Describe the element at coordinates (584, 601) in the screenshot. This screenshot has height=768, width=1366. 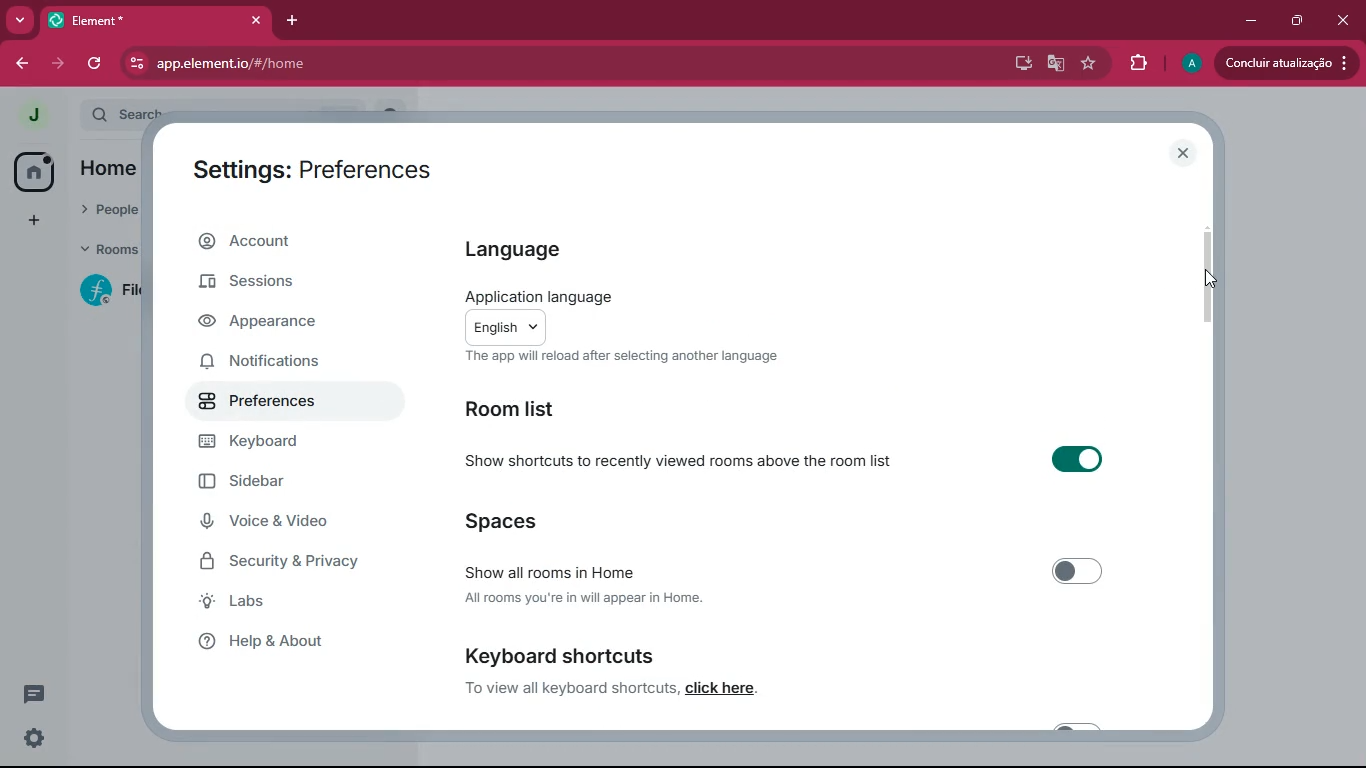
I see `All rooms you're in will appear in Home.` at that location.